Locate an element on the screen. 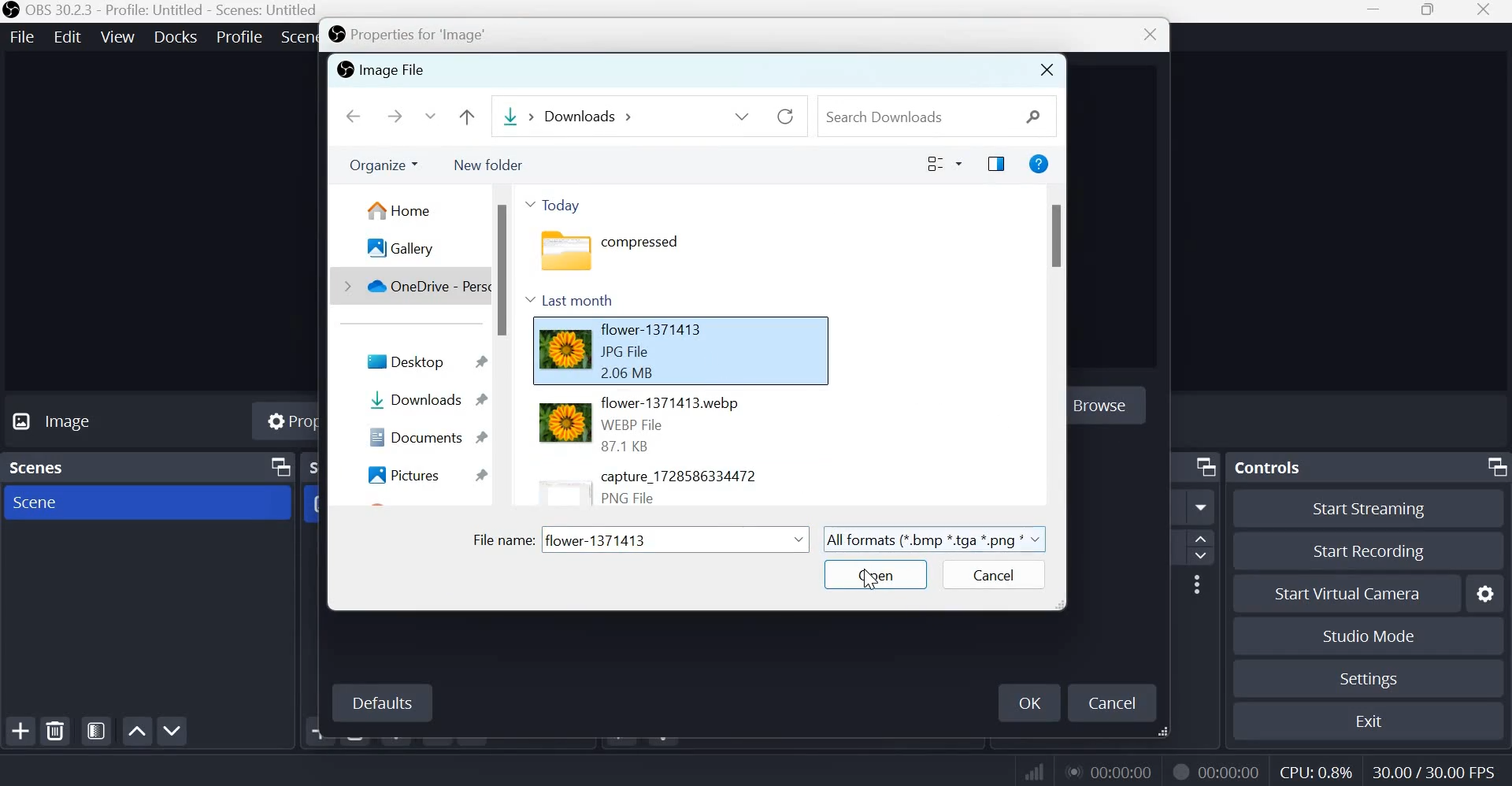 This screenshot has width=1512, height=786. capture_1728586334472 PNG file is located at coordinates (644, 487).